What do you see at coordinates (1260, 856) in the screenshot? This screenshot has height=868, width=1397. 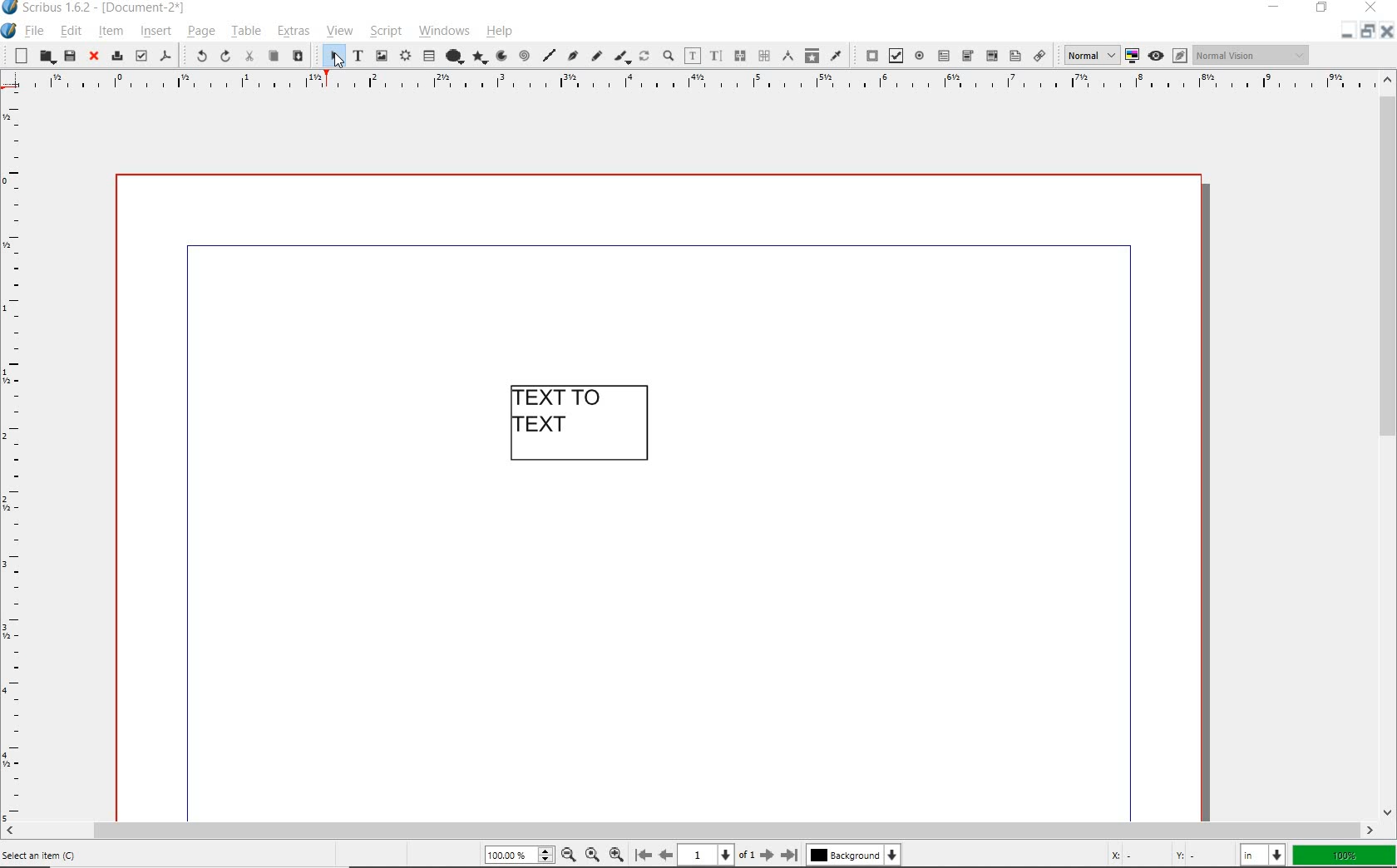 I see `select unit` at bounding box center [1260, 856].